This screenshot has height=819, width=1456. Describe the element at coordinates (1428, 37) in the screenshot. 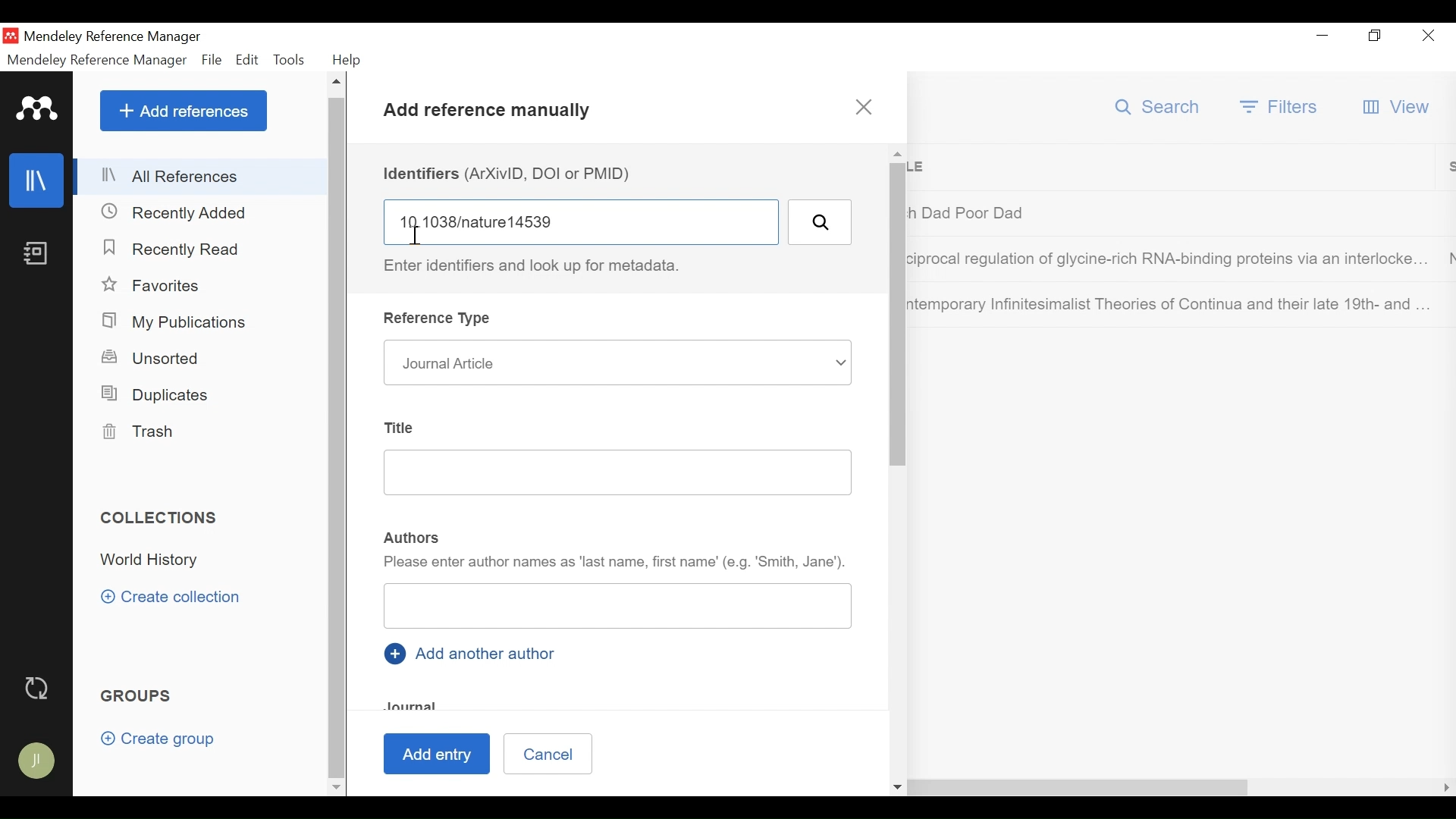

I see `Close` at that location.